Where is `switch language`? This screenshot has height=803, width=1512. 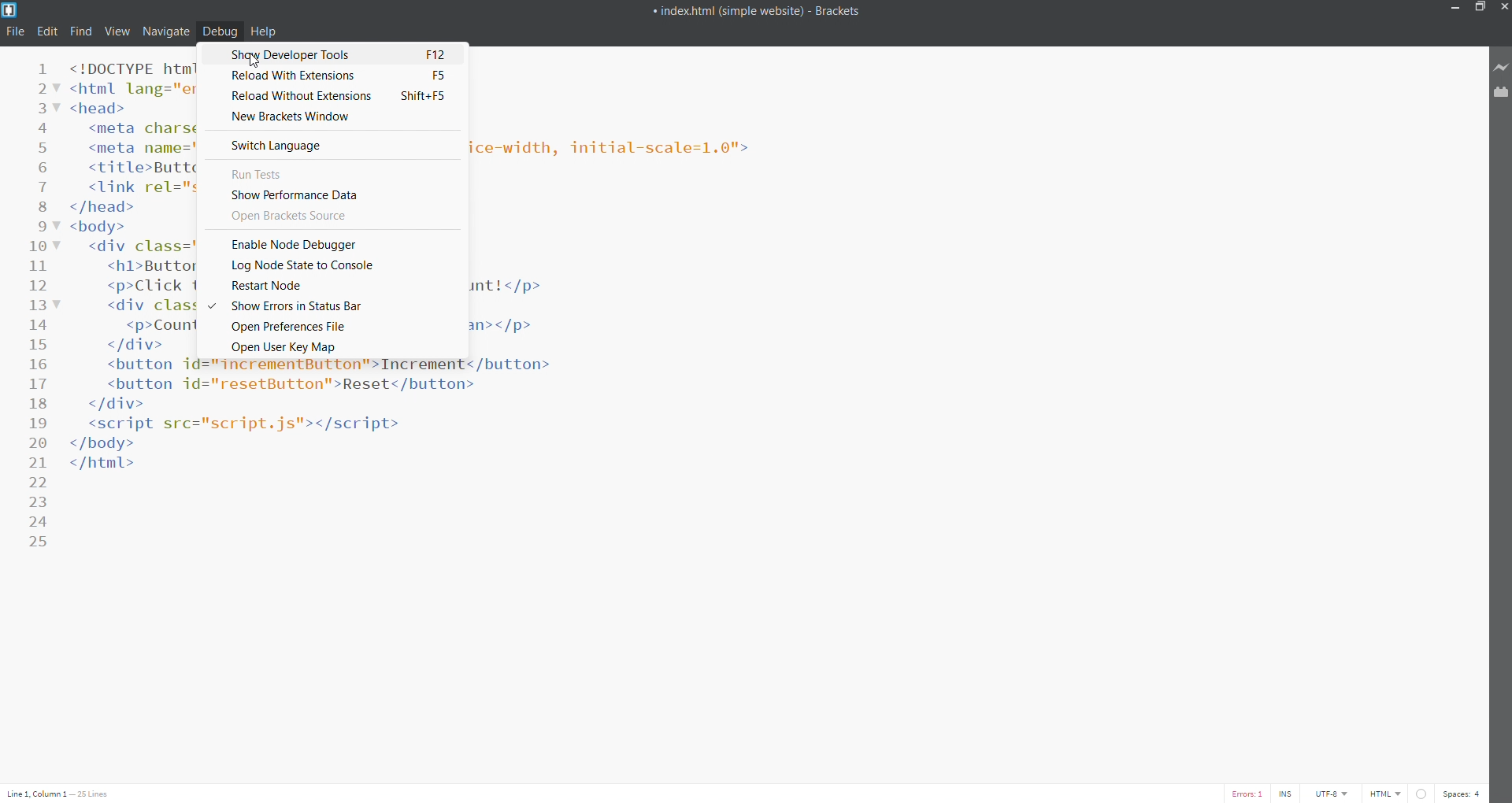 switch language is located at coordinates (331, 146).